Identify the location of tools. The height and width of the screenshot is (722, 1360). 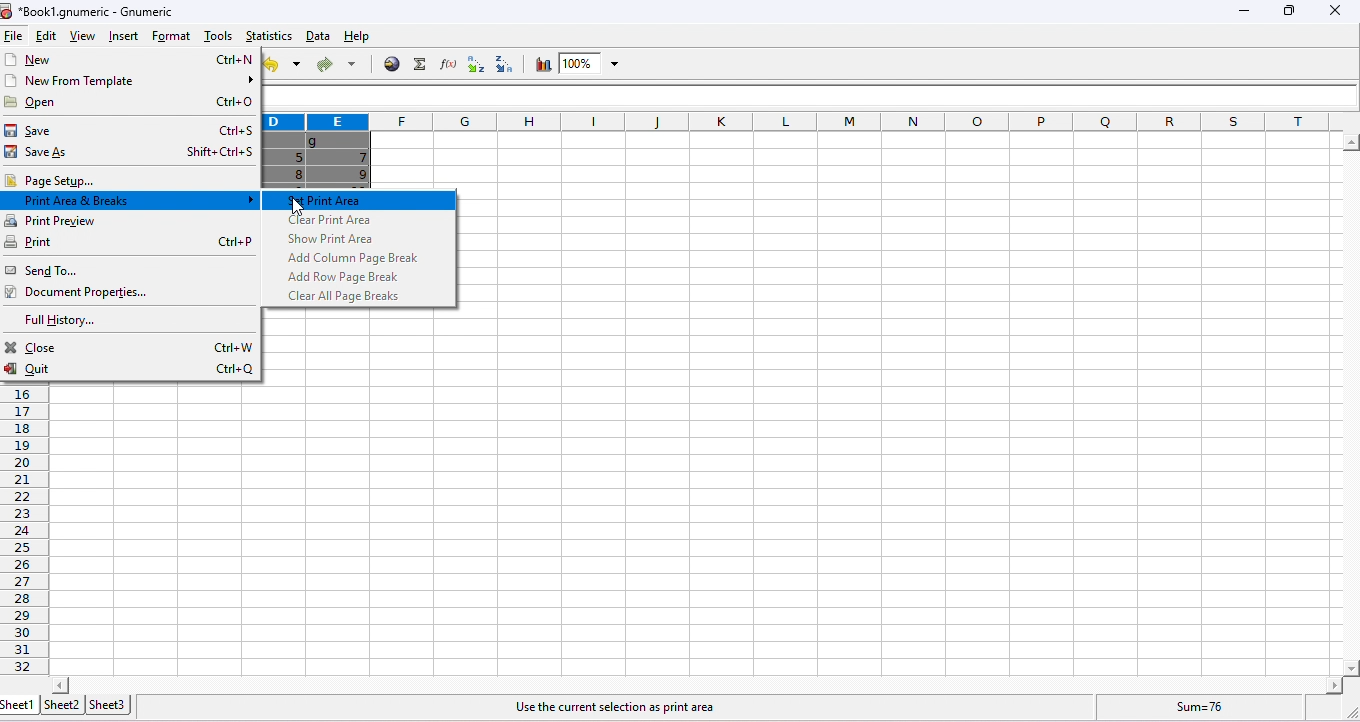
(216, 36).